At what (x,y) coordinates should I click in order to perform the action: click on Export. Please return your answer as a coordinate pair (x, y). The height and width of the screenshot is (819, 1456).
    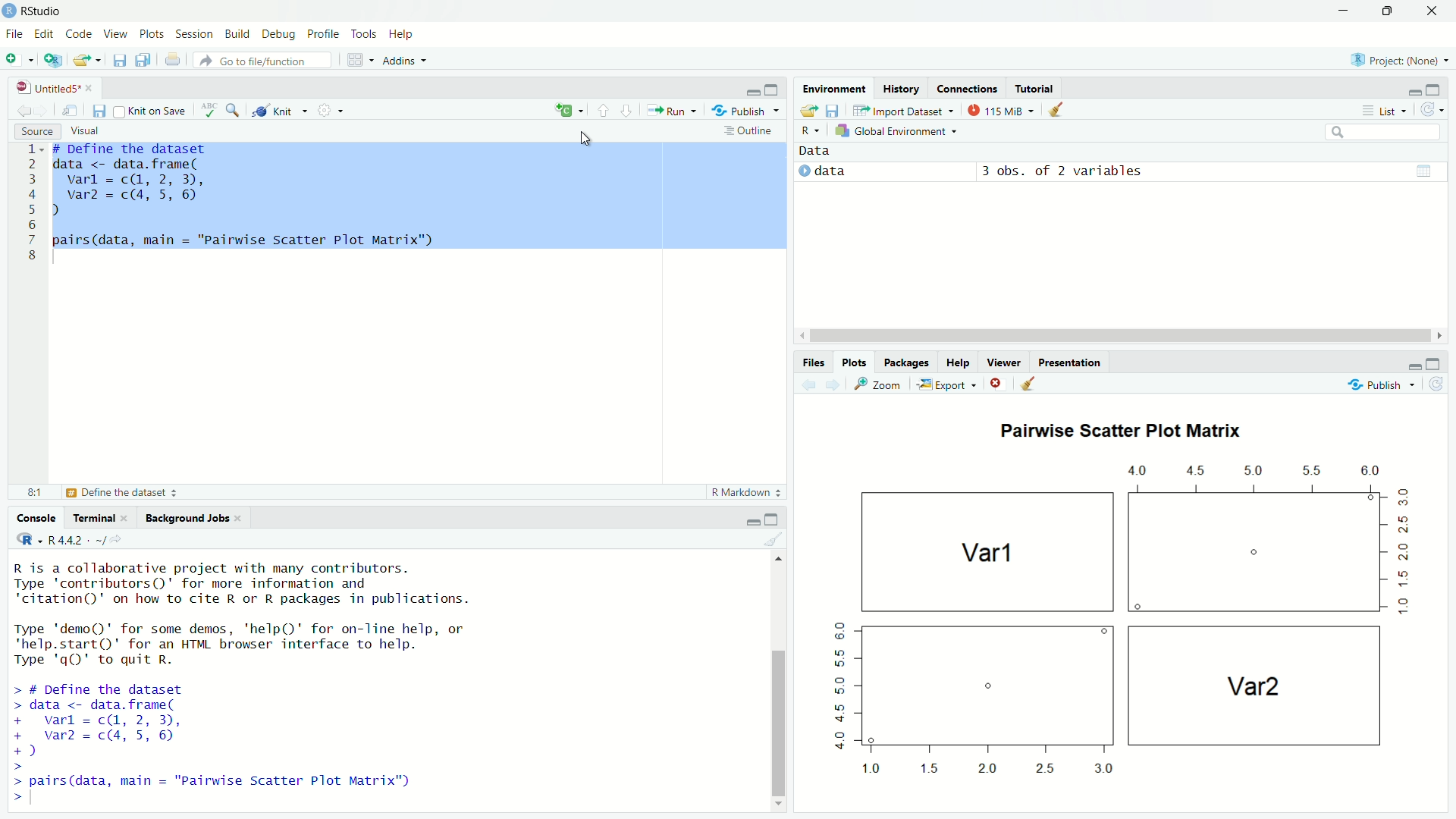
    Looking at the image, I should click on (945, 384).